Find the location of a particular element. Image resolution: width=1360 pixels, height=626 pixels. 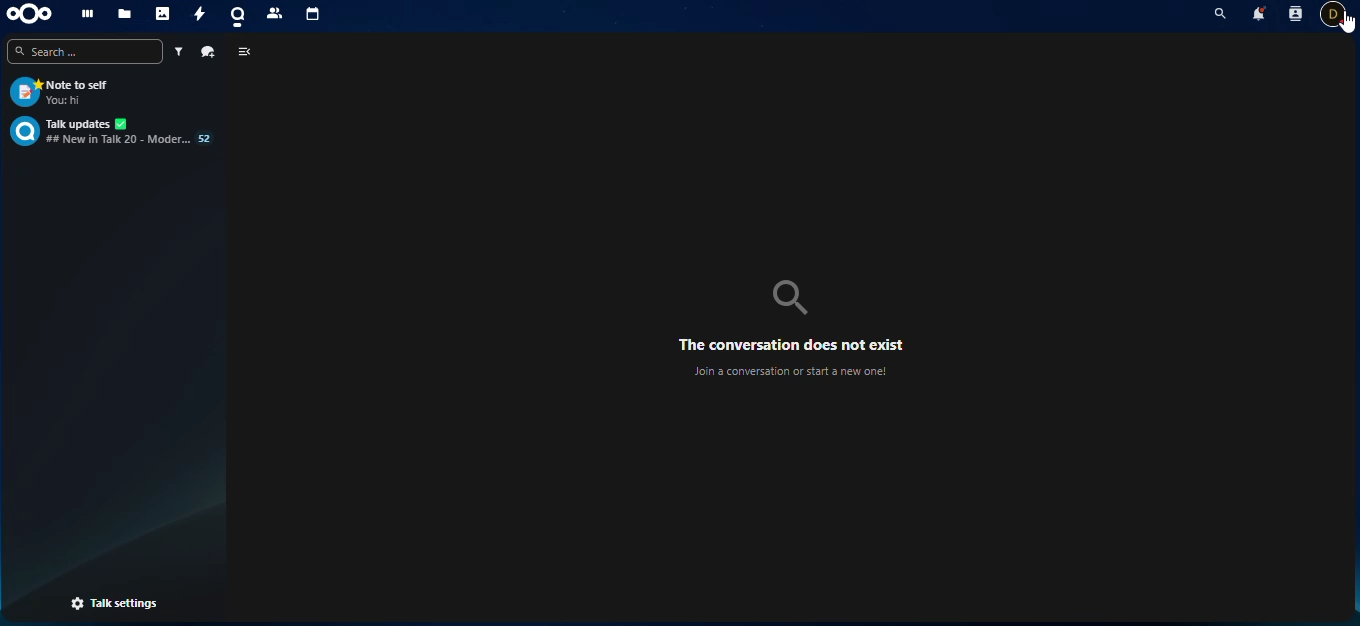

Cursor is located at coordinates (1346, 23).